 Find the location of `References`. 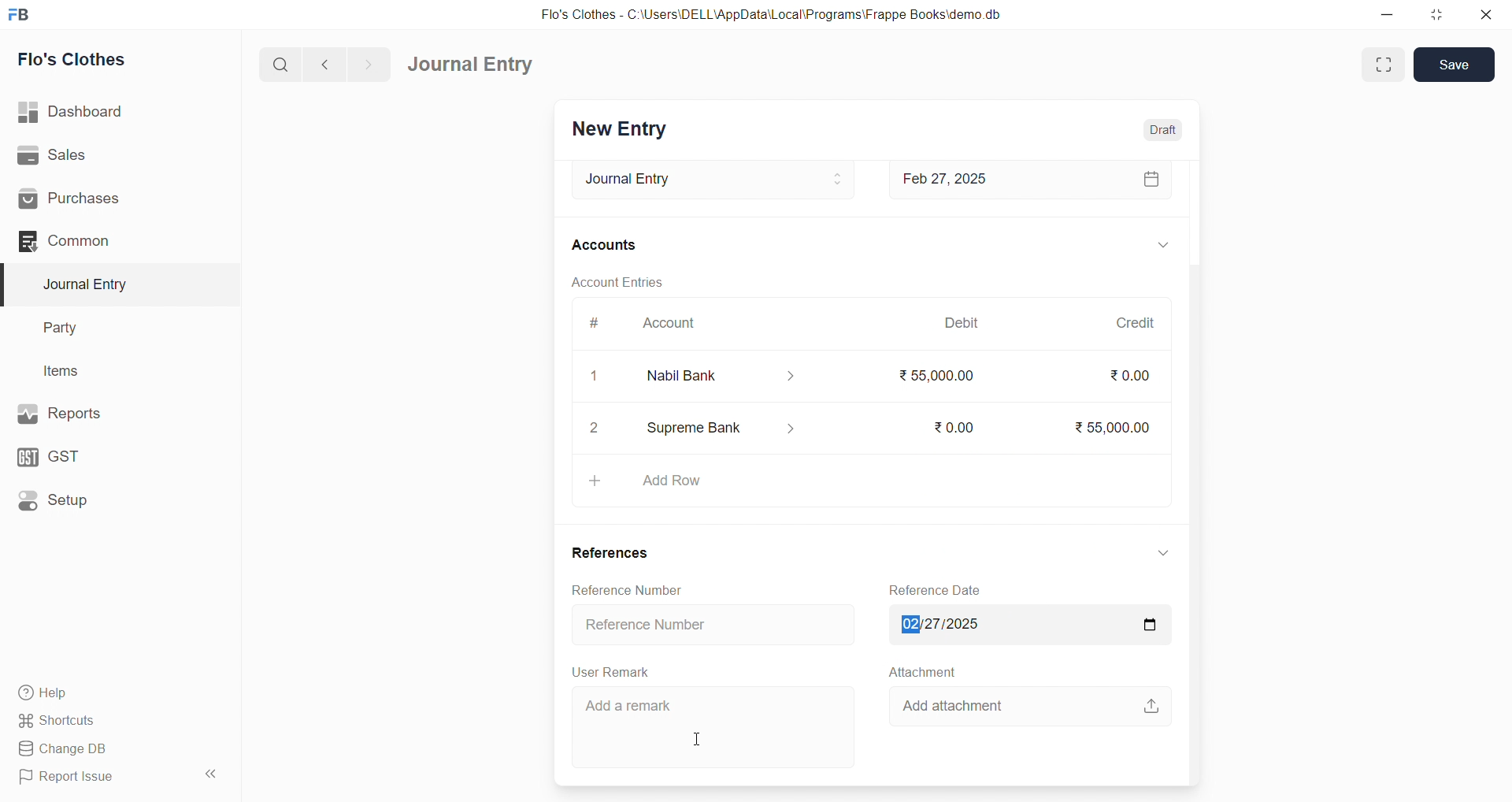

References is located at coordinates (611, 555).